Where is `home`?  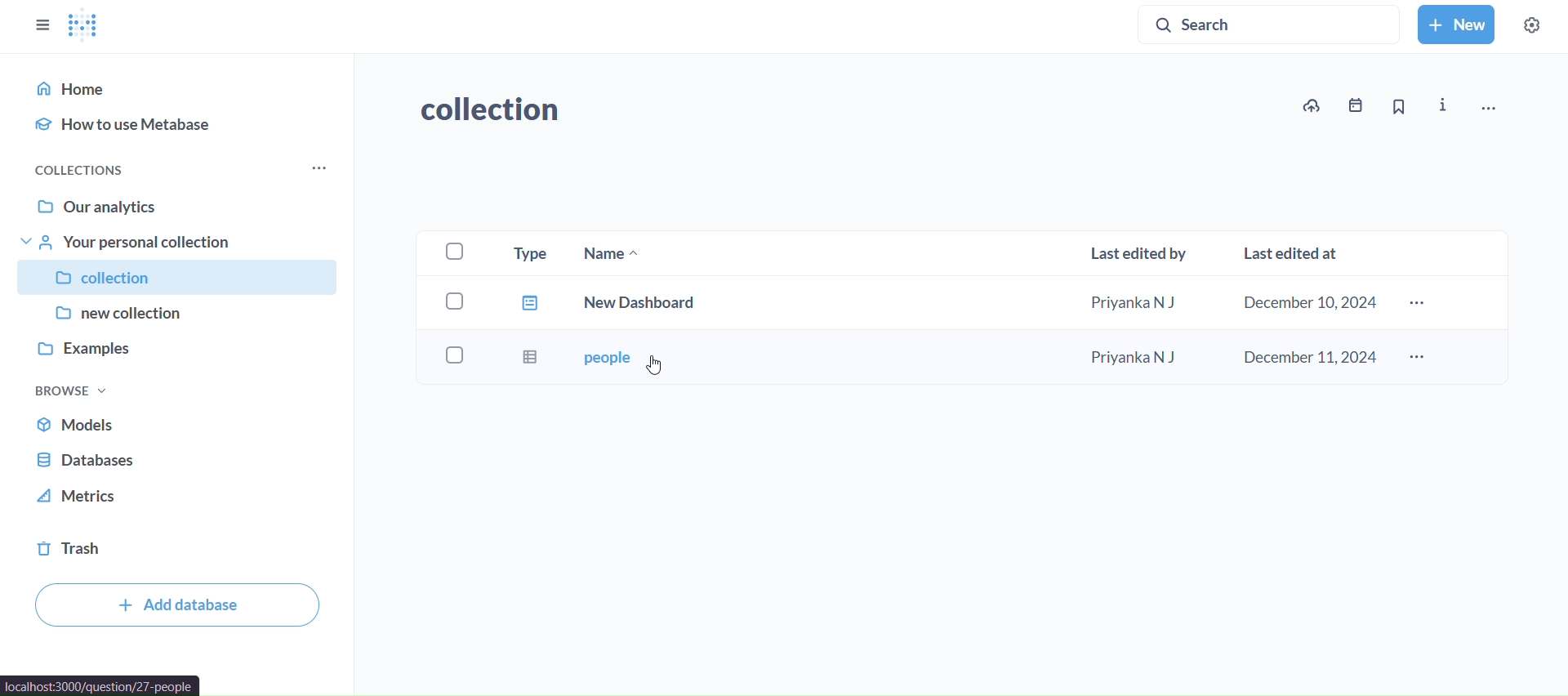 home is located at coordinates (182, 86).